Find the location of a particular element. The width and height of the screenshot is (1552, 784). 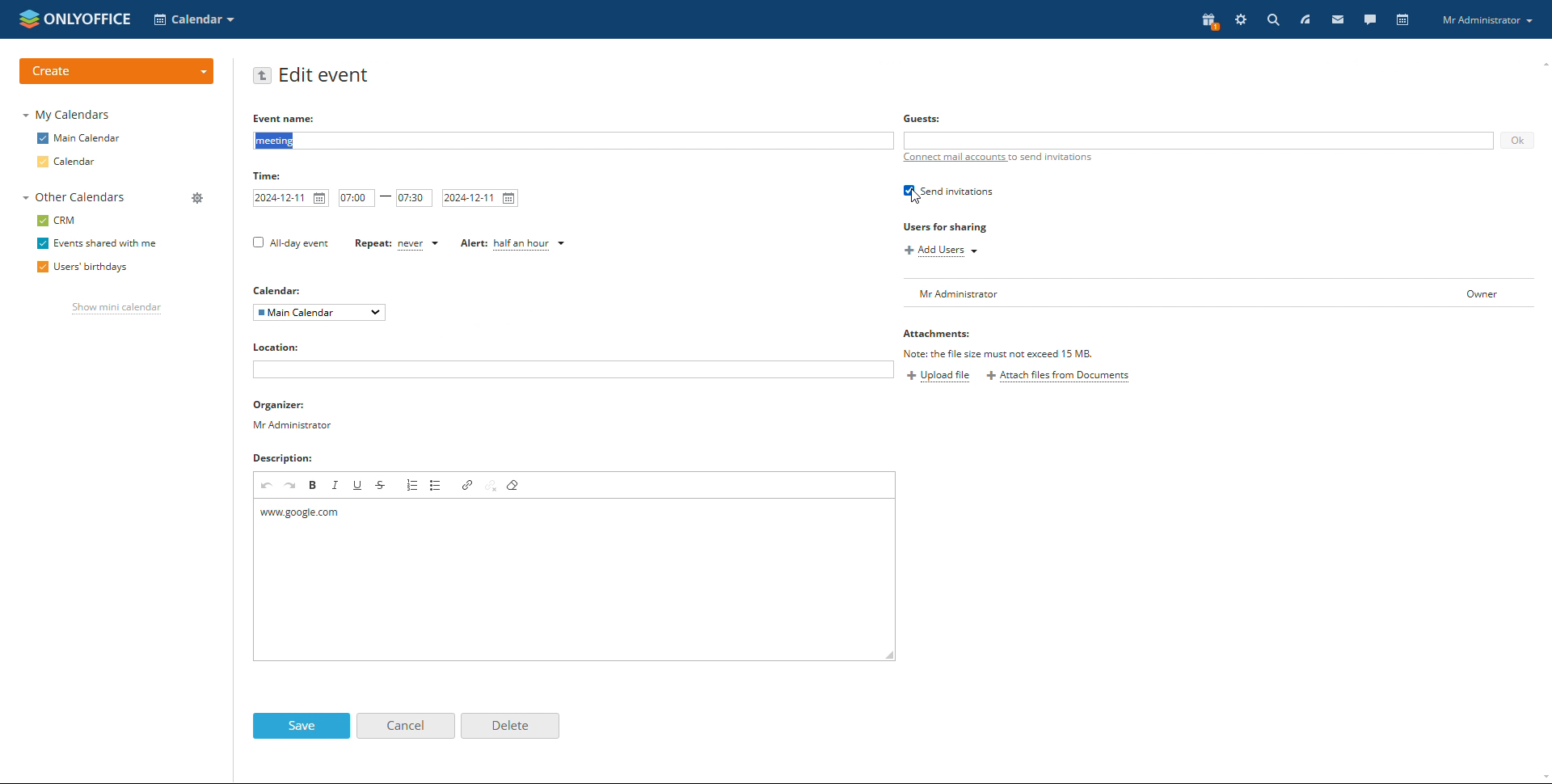

scroll down is located at coordinates (1542, 778).